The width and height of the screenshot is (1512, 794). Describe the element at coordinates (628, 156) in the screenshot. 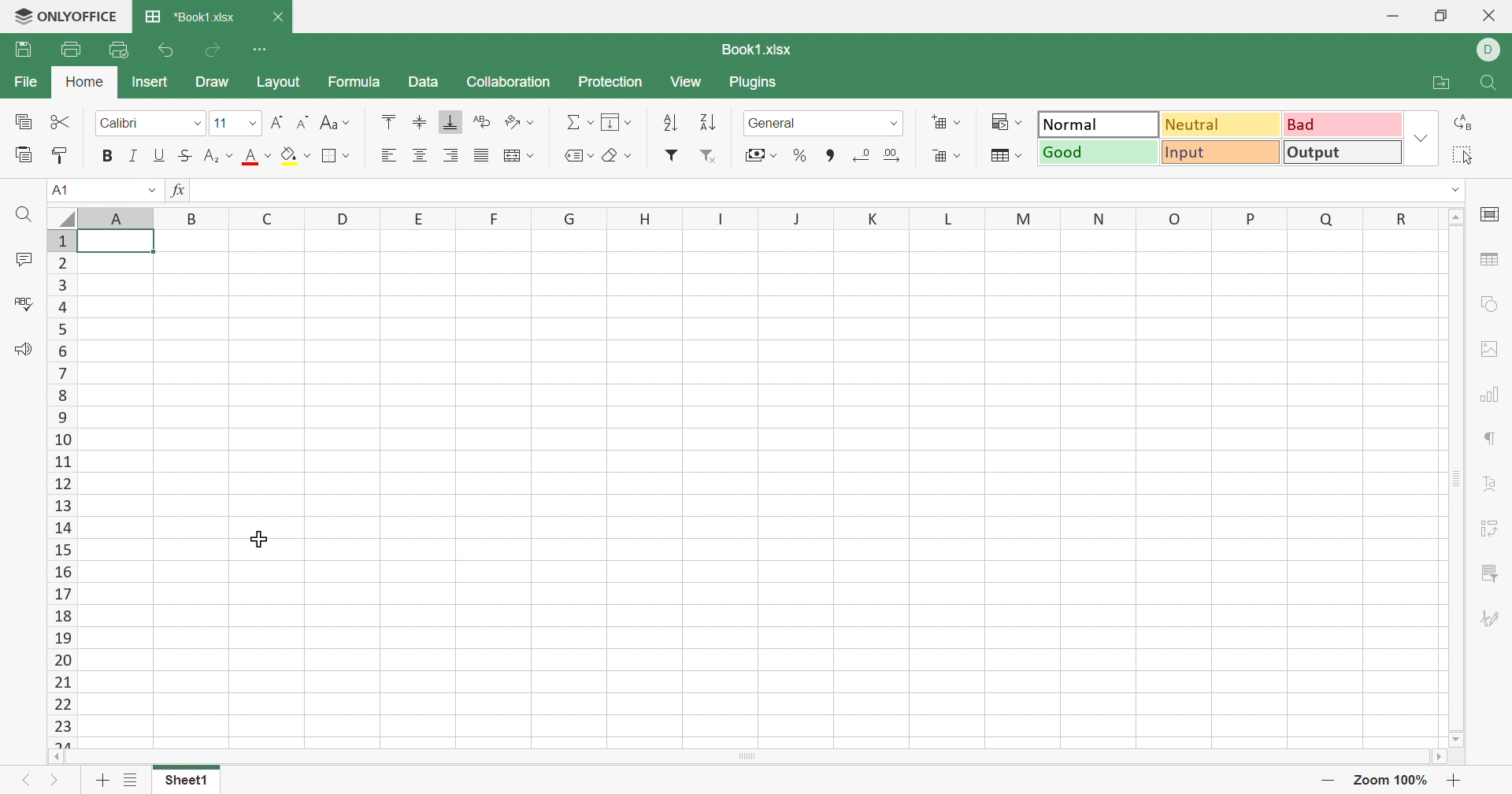

I see `Drop Down` at that location.